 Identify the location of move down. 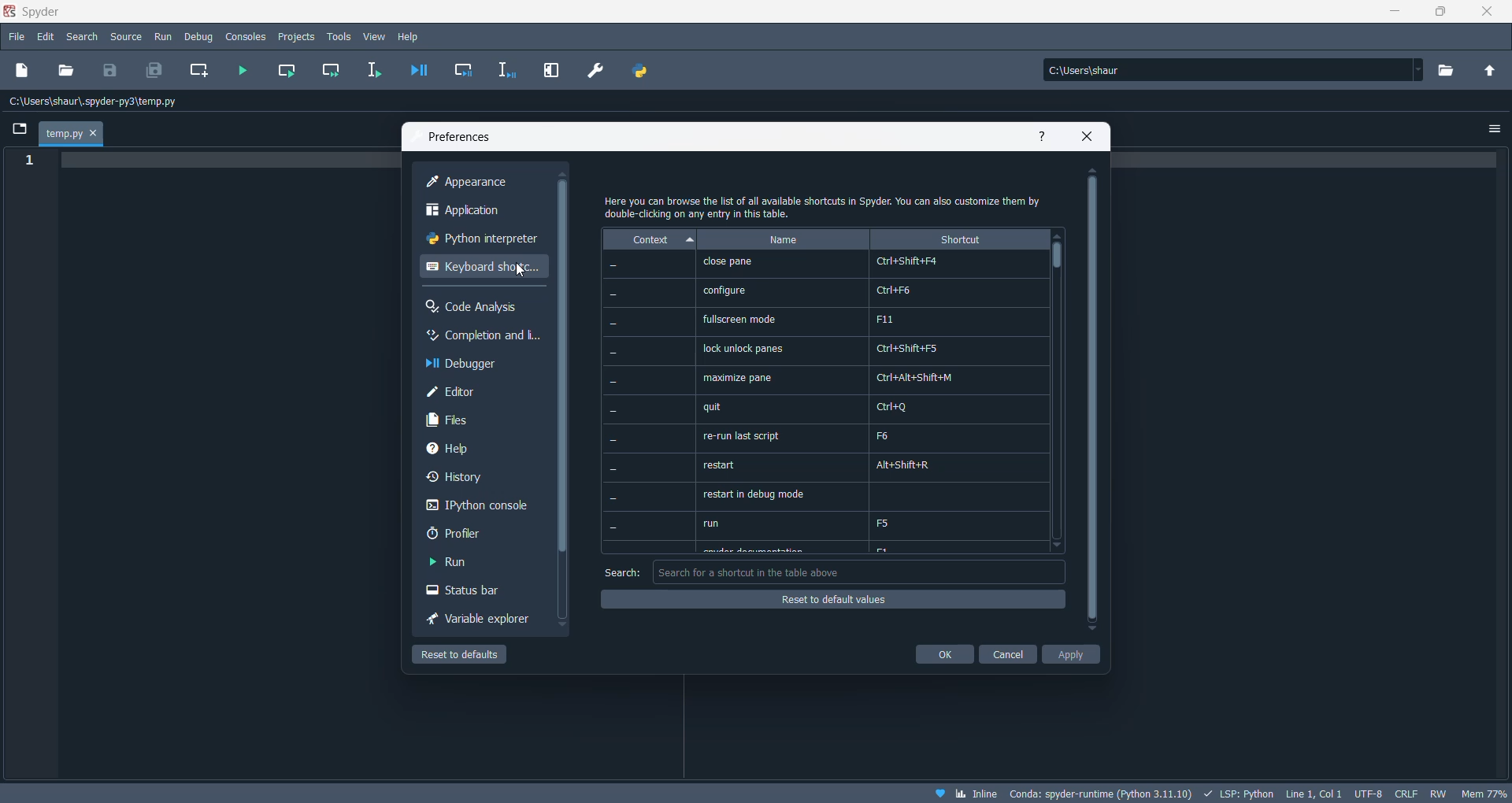
(560, 626).